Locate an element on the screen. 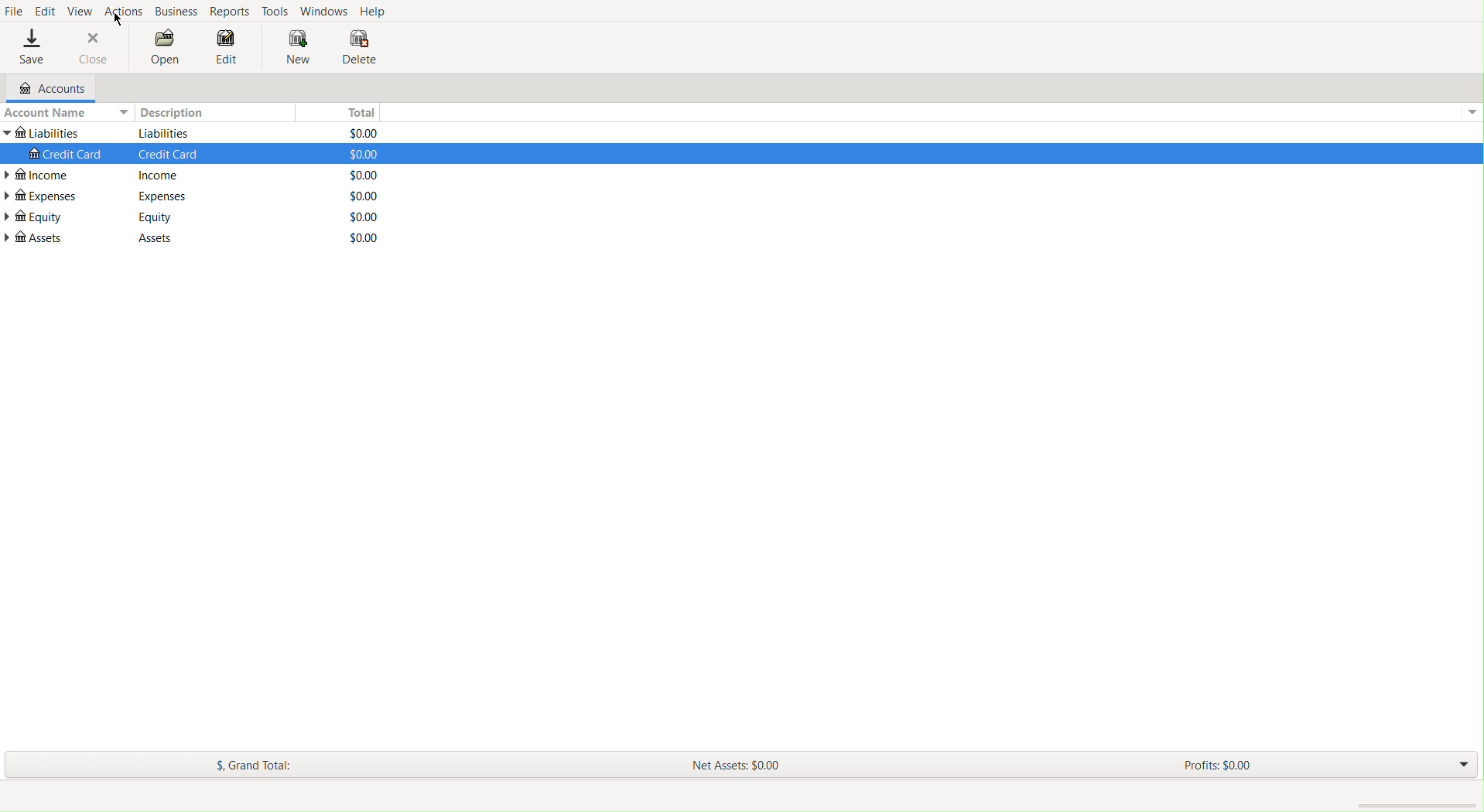 The height and width of the screenshot is (812, 1484). Description is located at coordinates (154, 237).